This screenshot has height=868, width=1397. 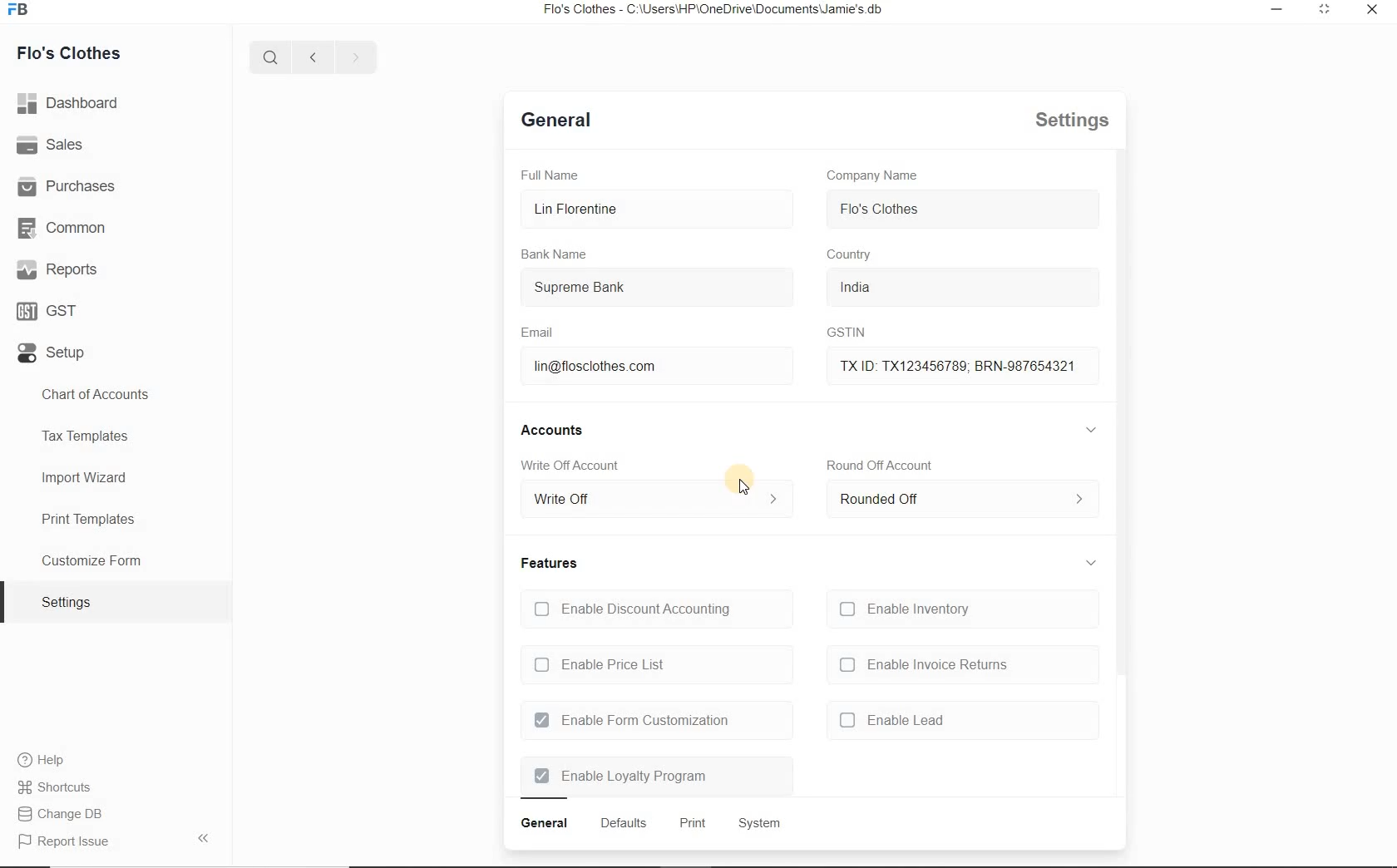 I want to click on search, so click(x=274, y=57).